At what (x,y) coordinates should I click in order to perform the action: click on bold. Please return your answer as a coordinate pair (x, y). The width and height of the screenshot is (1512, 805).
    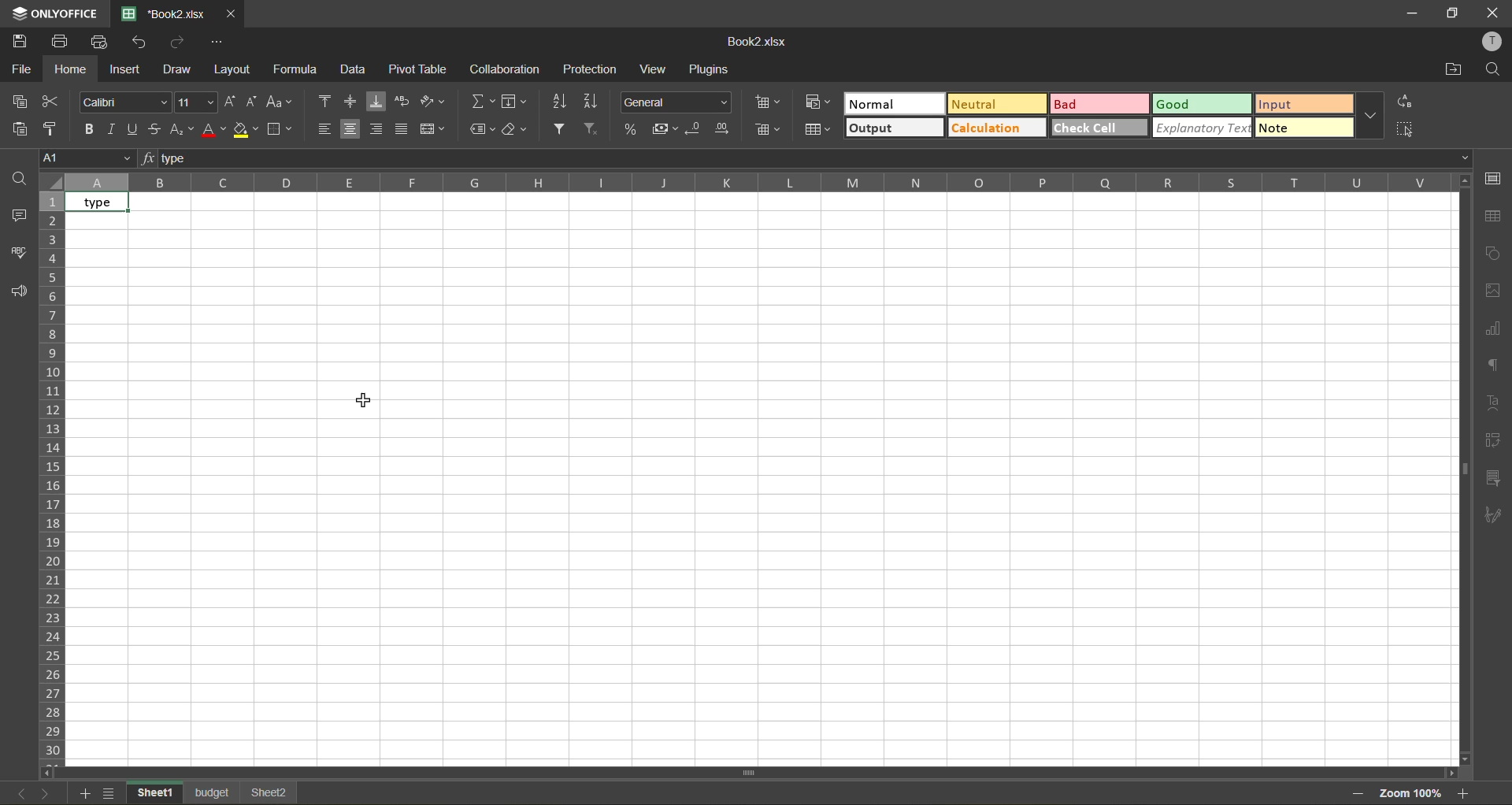
    Looking at the image, I should click on (92, 133).